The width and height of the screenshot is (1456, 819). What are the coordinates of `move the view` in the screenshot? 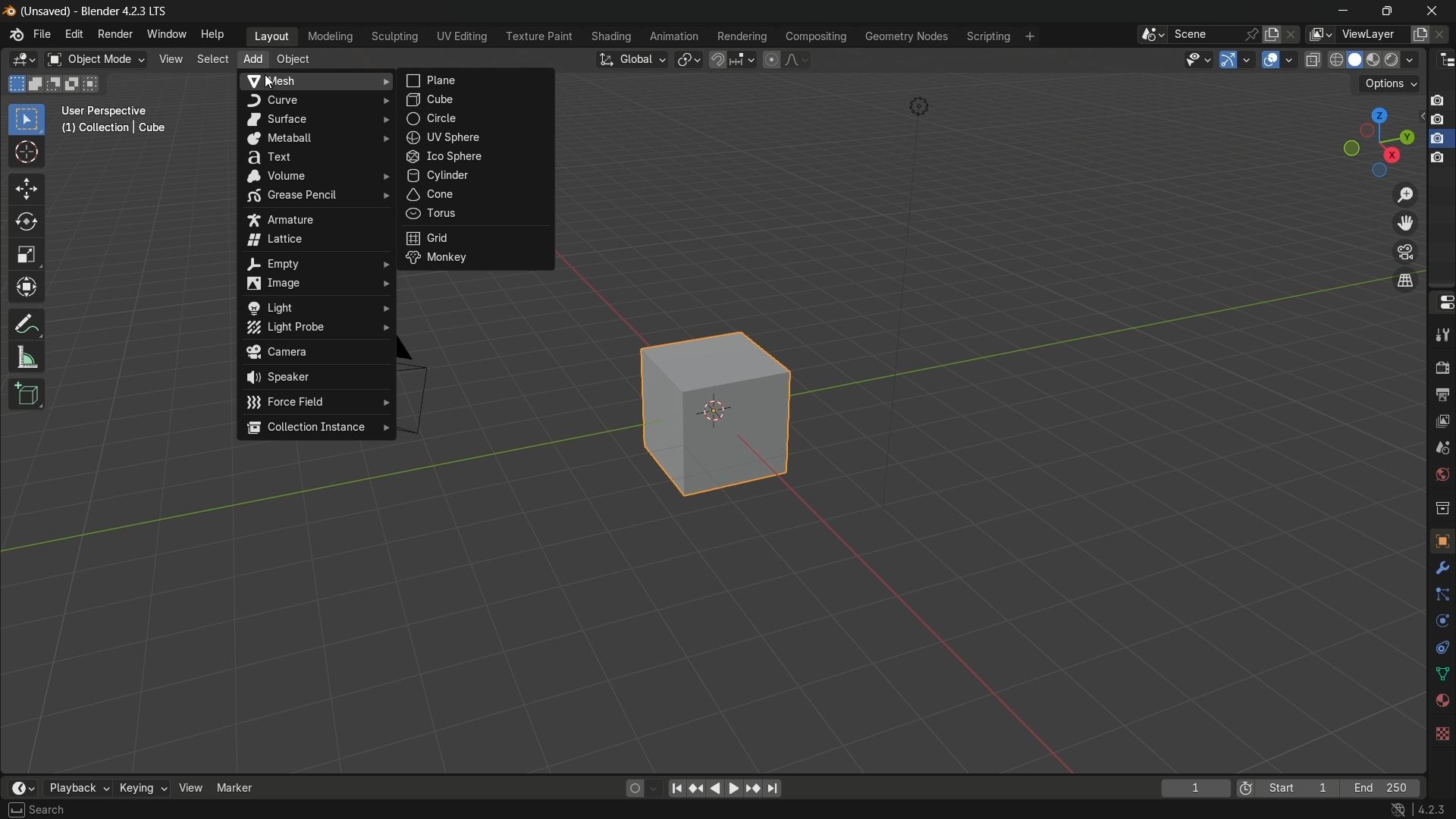 It's located at (1404, 224).